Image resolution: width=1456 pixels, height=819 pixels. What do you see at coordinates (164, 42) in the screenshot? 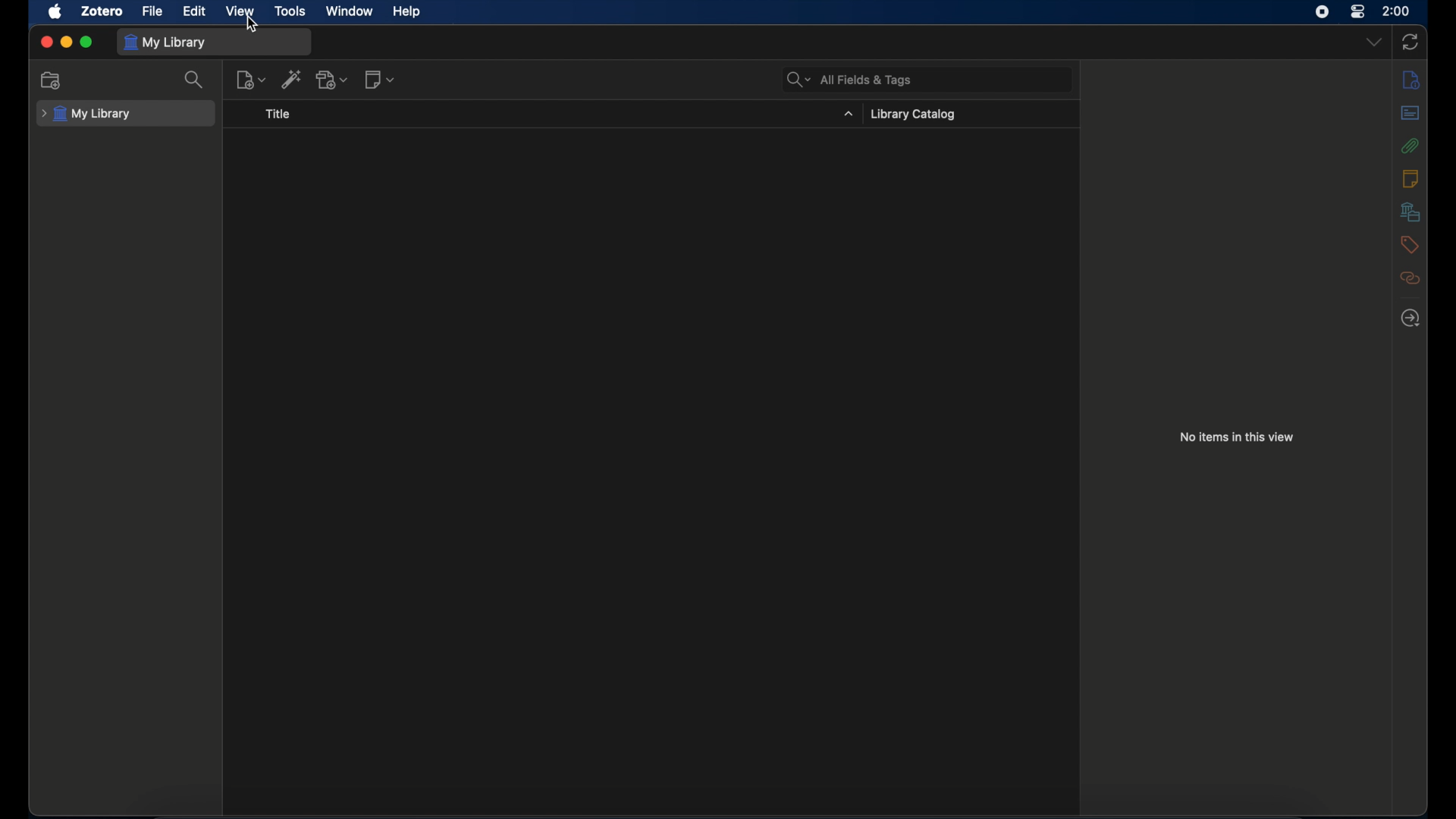
I see `my library` at bounding box center [164, 42].